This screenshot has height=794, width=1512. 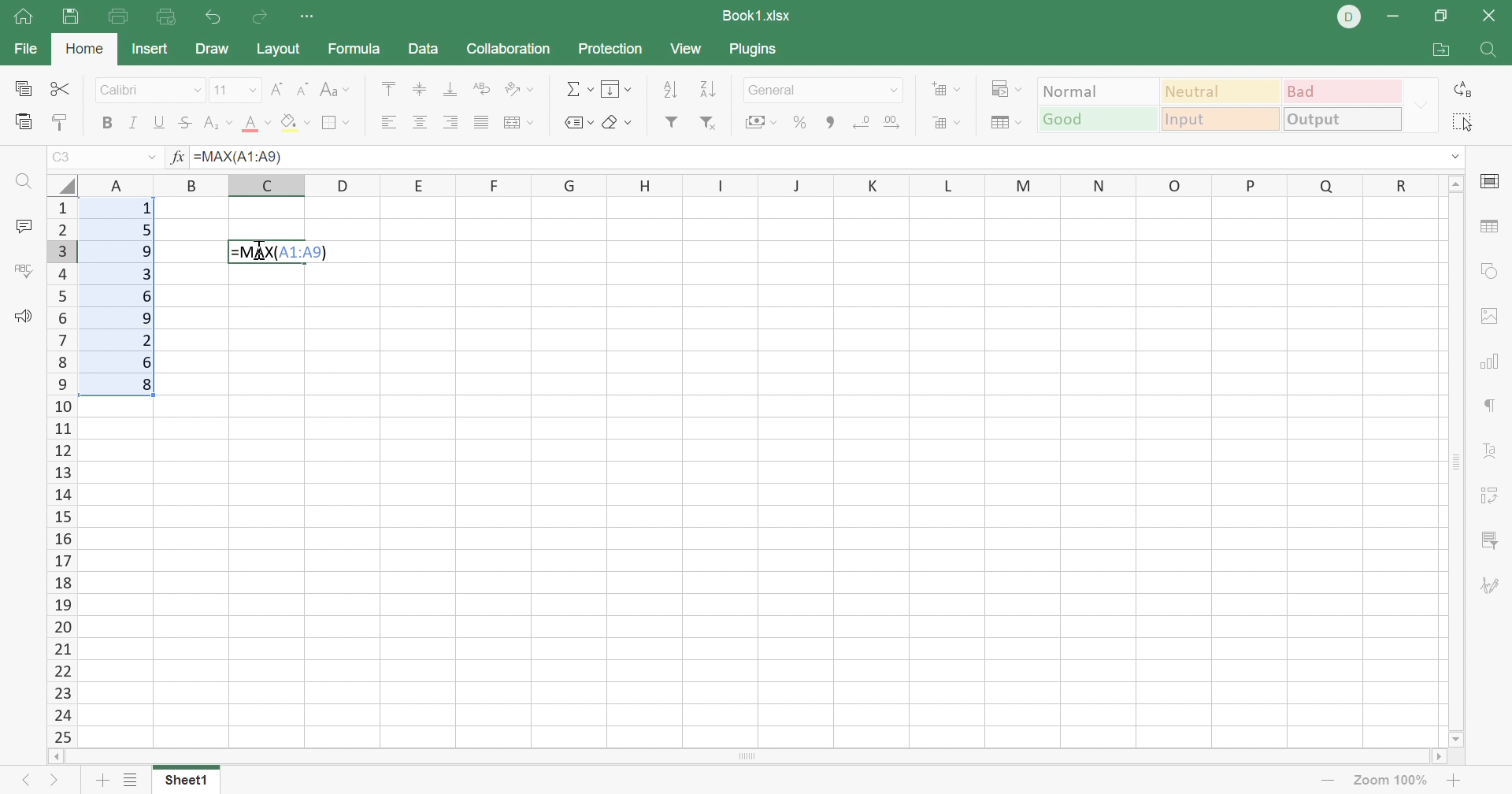 I want to click on Borders, so click(x=338, y=123).